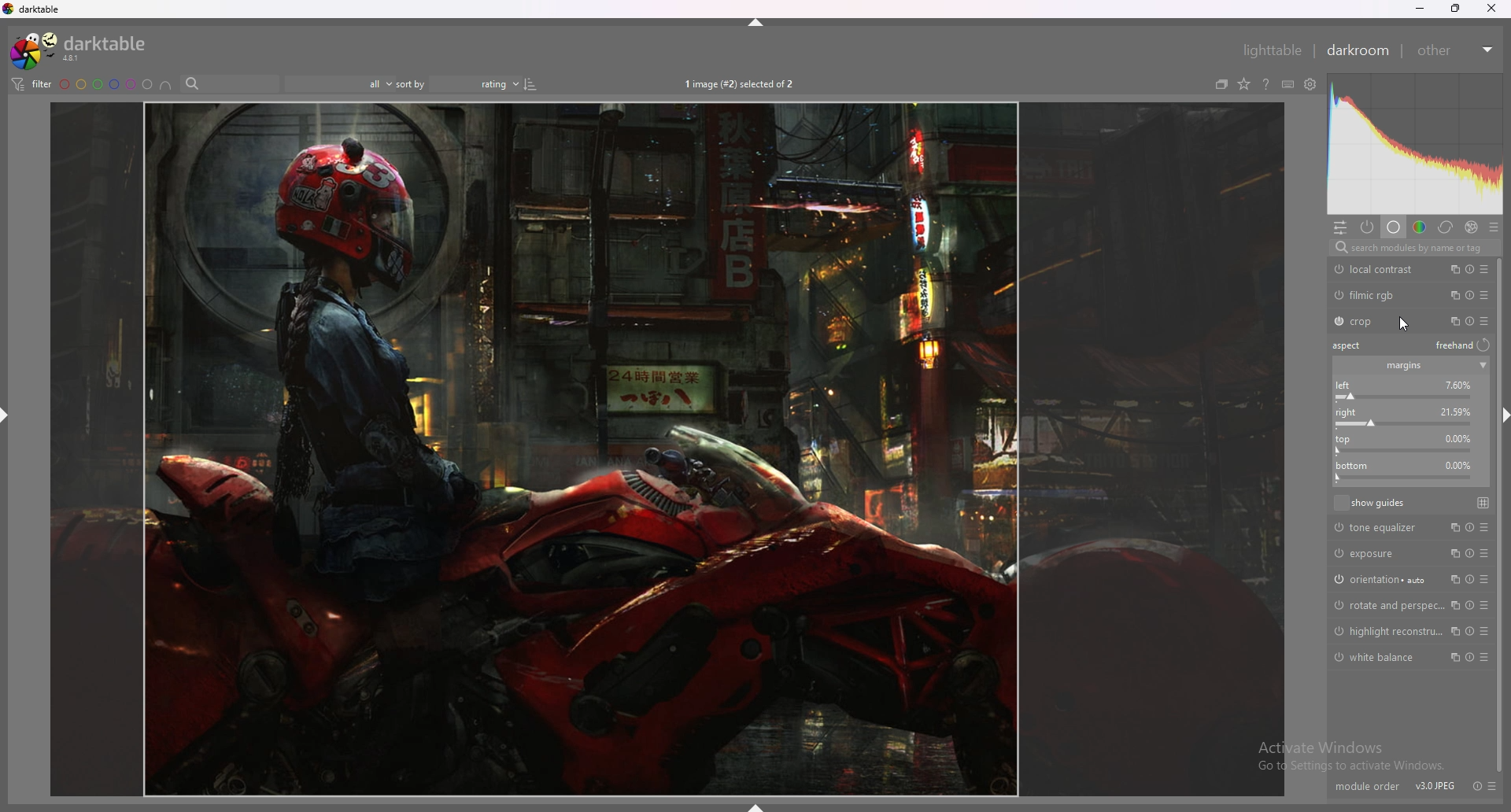  I want to click on module order, so click(1367, 777).